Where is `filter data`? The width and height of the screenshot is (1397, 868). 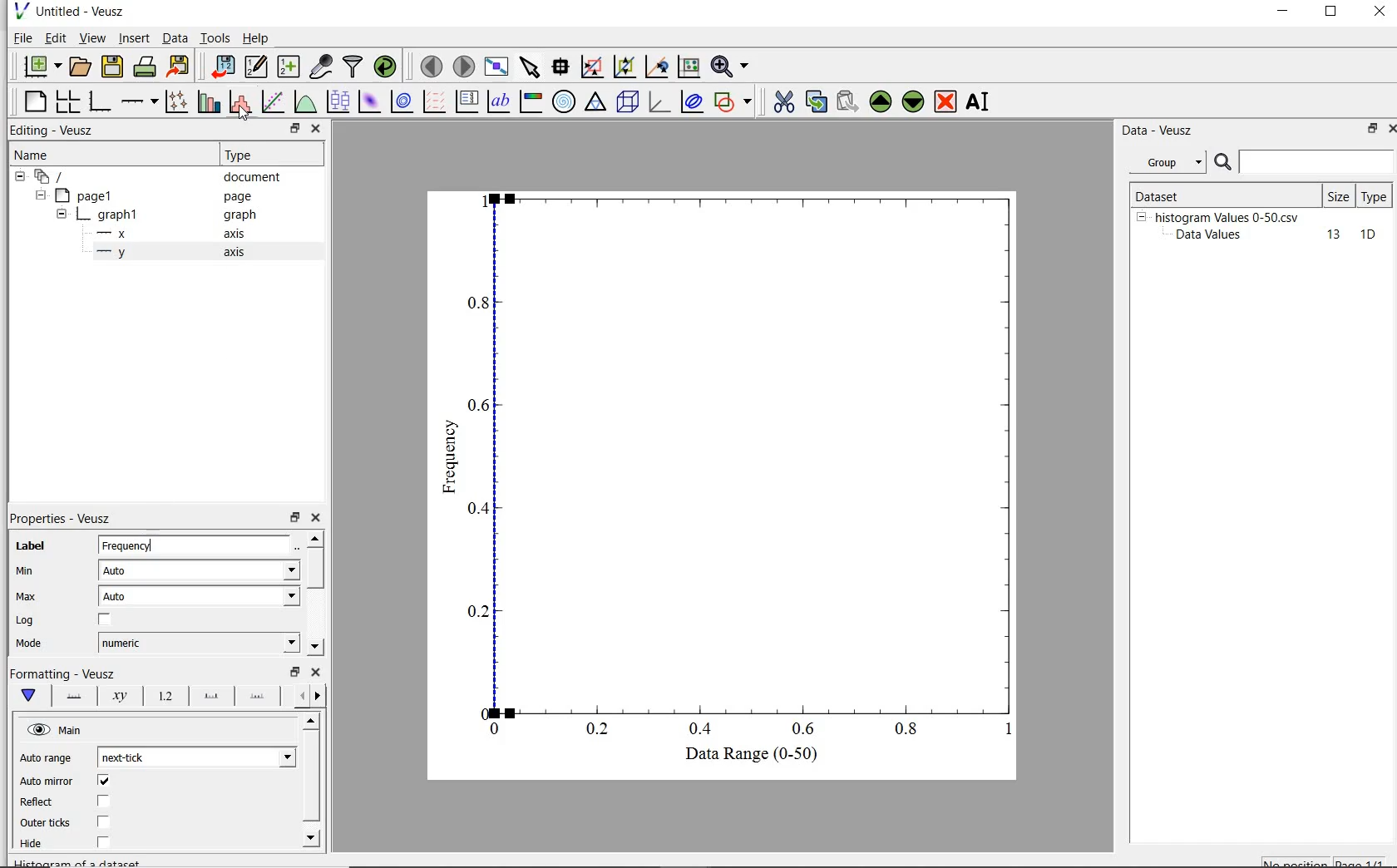 filter data is located at coordinates (353, 67).